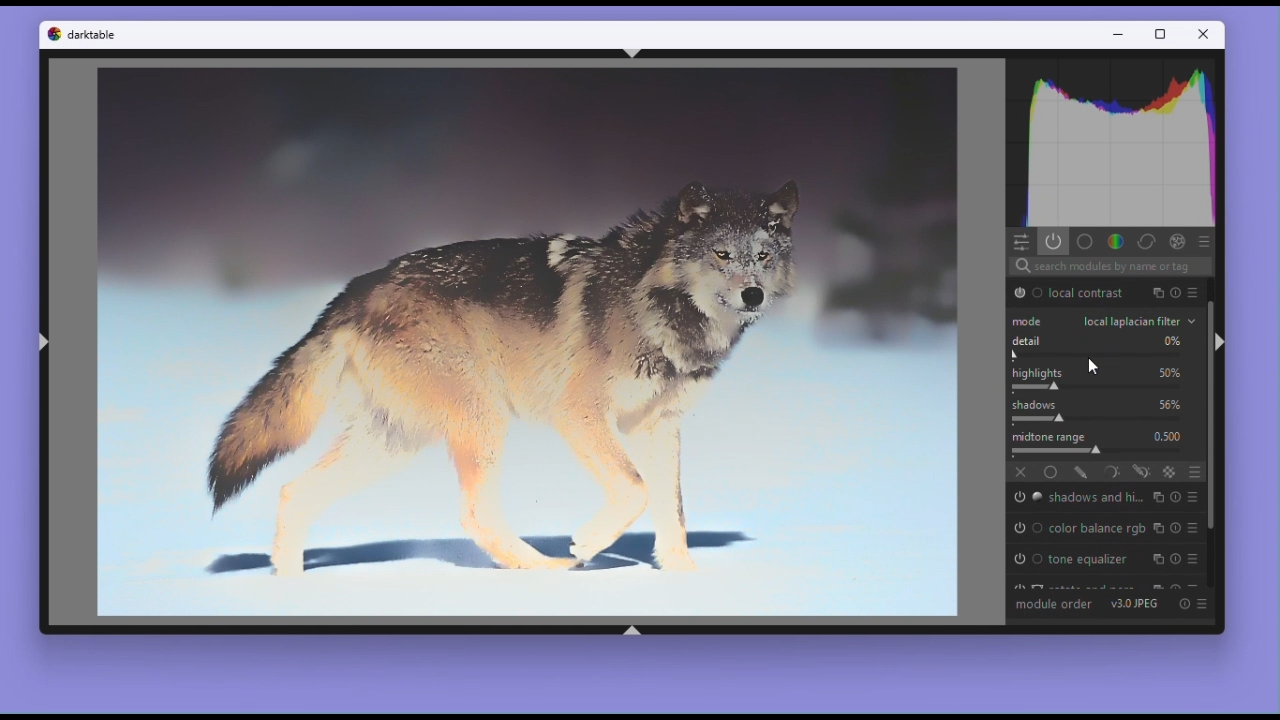 The width and height of the screenshot is (1280, 720). Describe the element at coordinates (1194, 527) in the screenshot. I see `presets` at that location.